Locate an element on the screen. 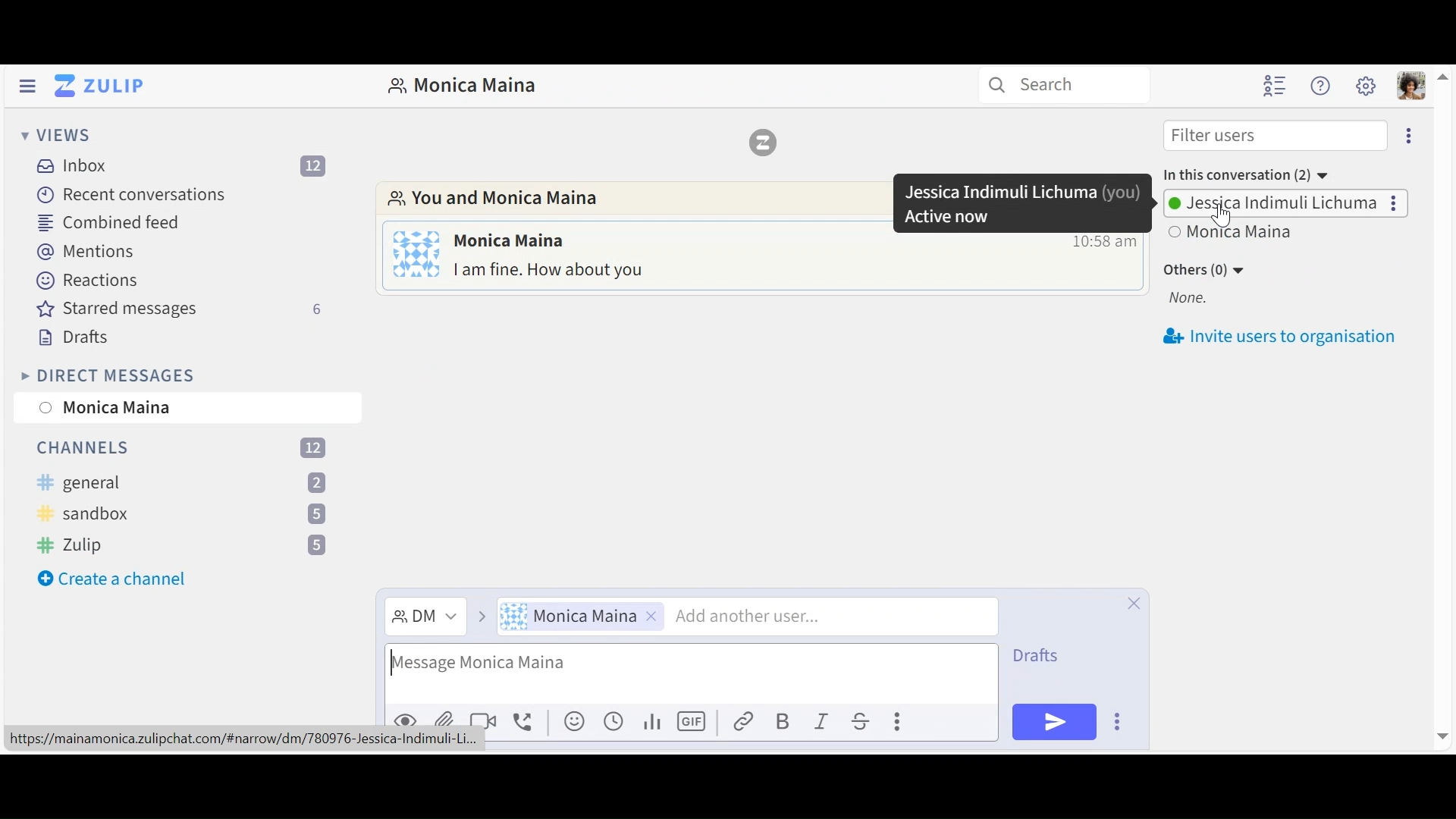  Add emoji is located at coordinates (576, 722).